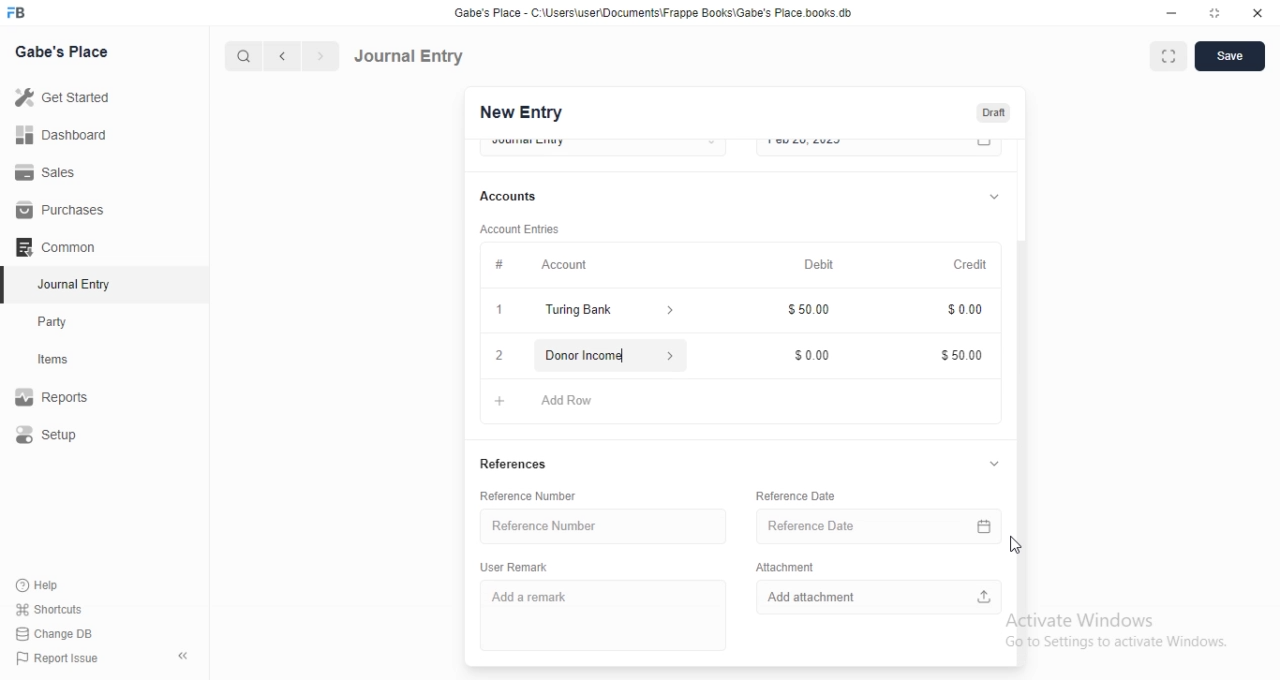  What do you see at coordinates (498, 355) in the screenshot?
I see `close` at bounding box center [498, 355].